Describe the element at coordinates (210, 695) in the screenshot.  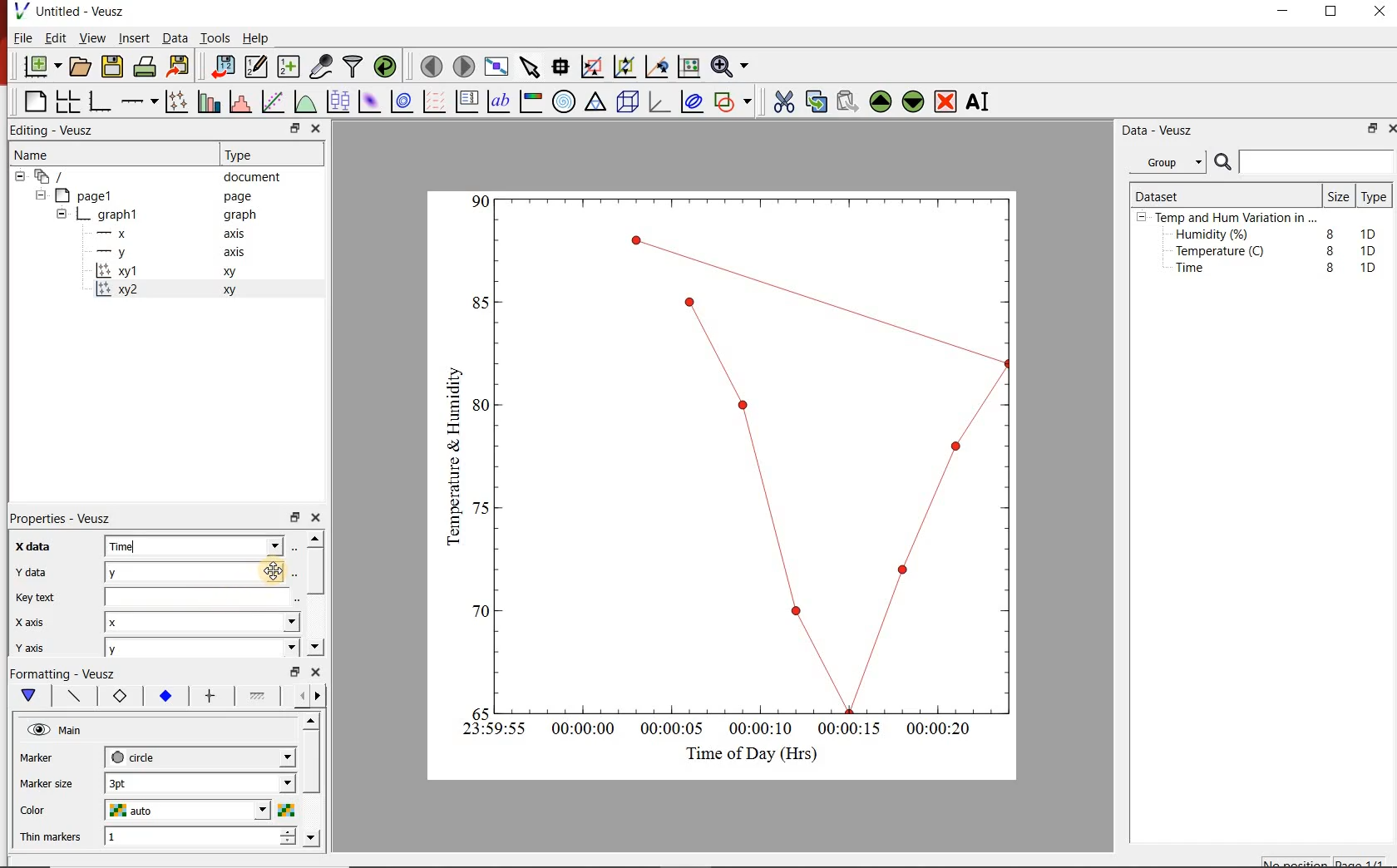
I see `error bar line` at that location.